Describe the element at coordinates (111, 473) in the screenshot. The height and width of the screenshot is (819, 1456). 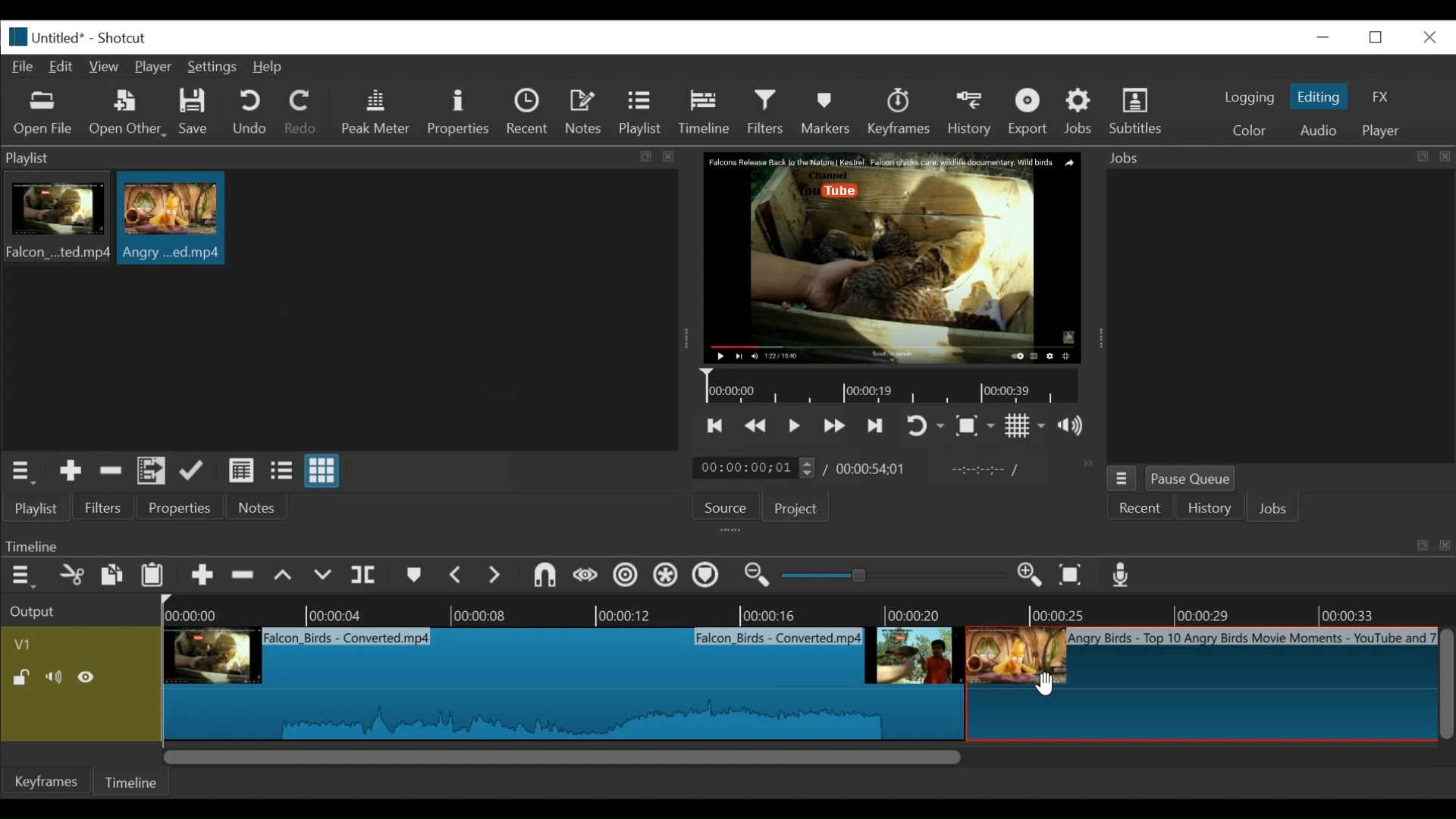
I see `Remove cut` at that location.